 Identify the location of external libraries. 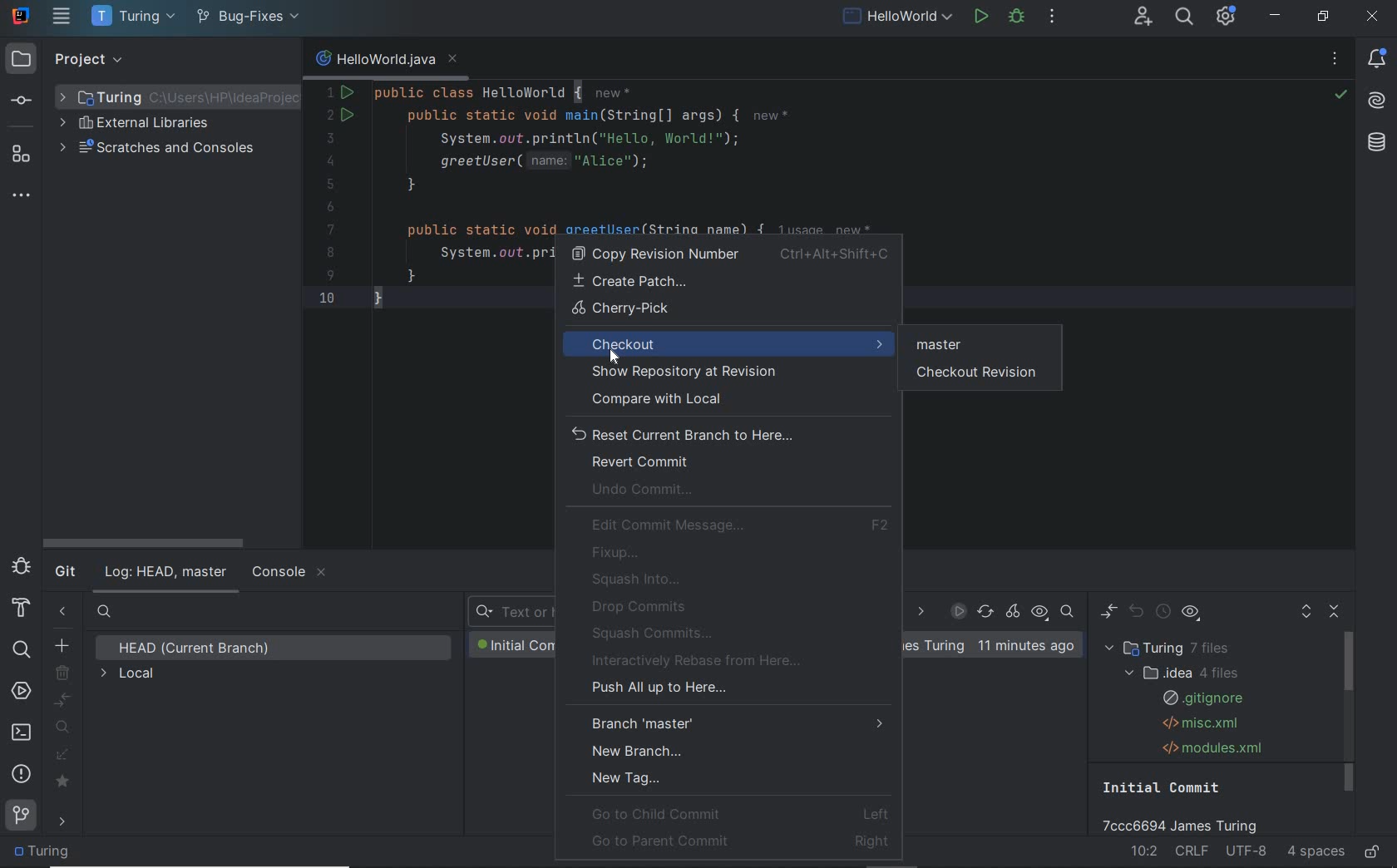
(143, 124).